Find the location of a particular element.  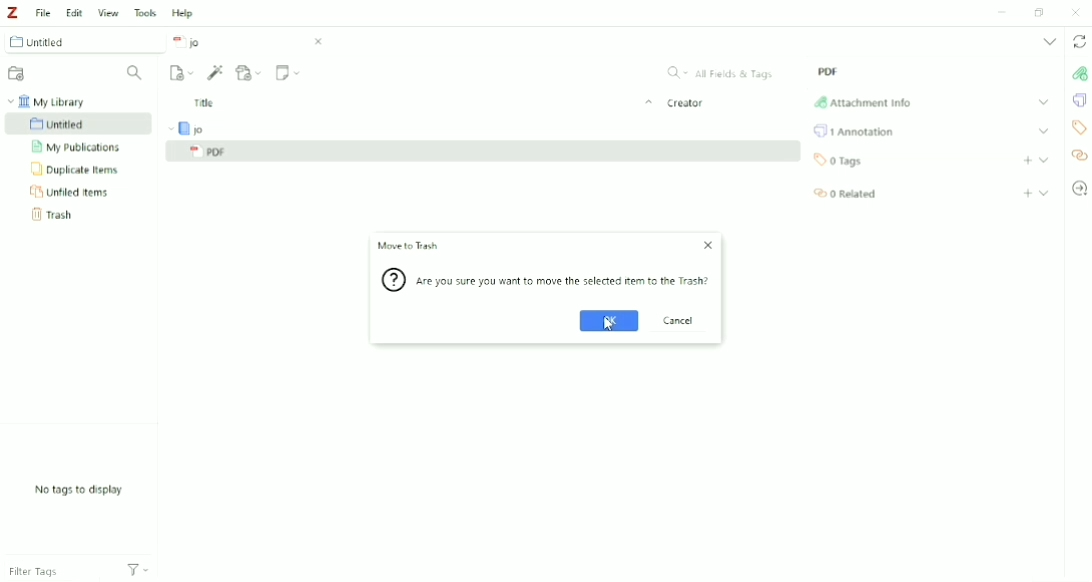

Title is located at coordinates (421, 104).